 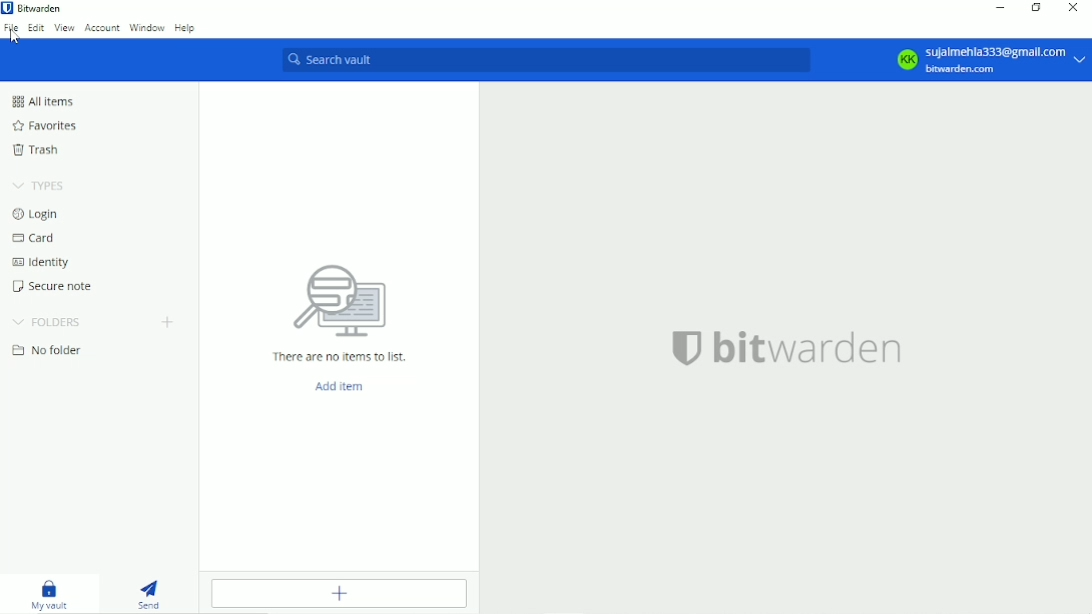 What do you see at coordinates (12, 33) in the screenshot?
I see `File` at bounding box center [12, 33].